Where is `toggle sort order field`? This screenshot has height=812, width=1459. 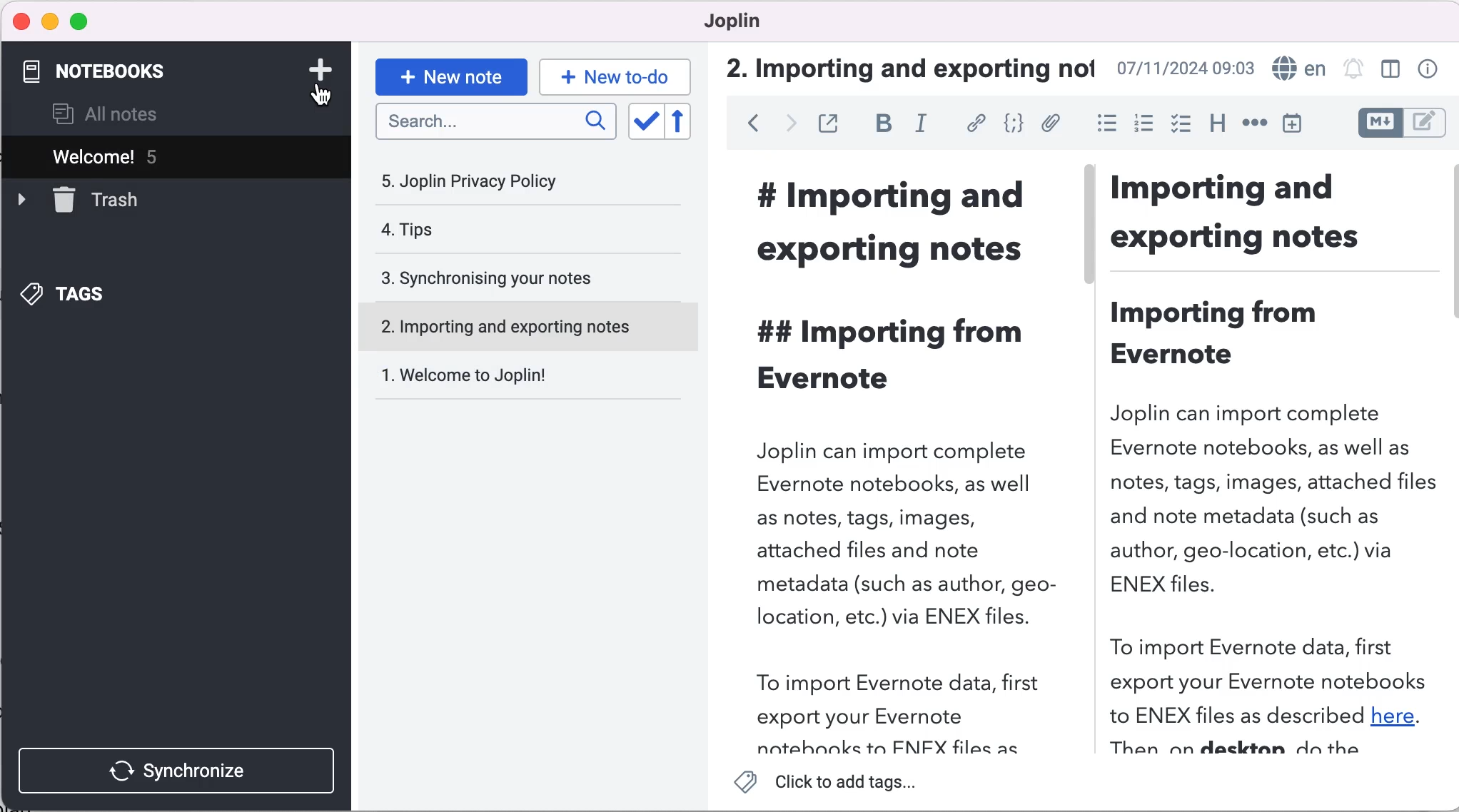 toggle sort order field is located at coordinates (645, 119).